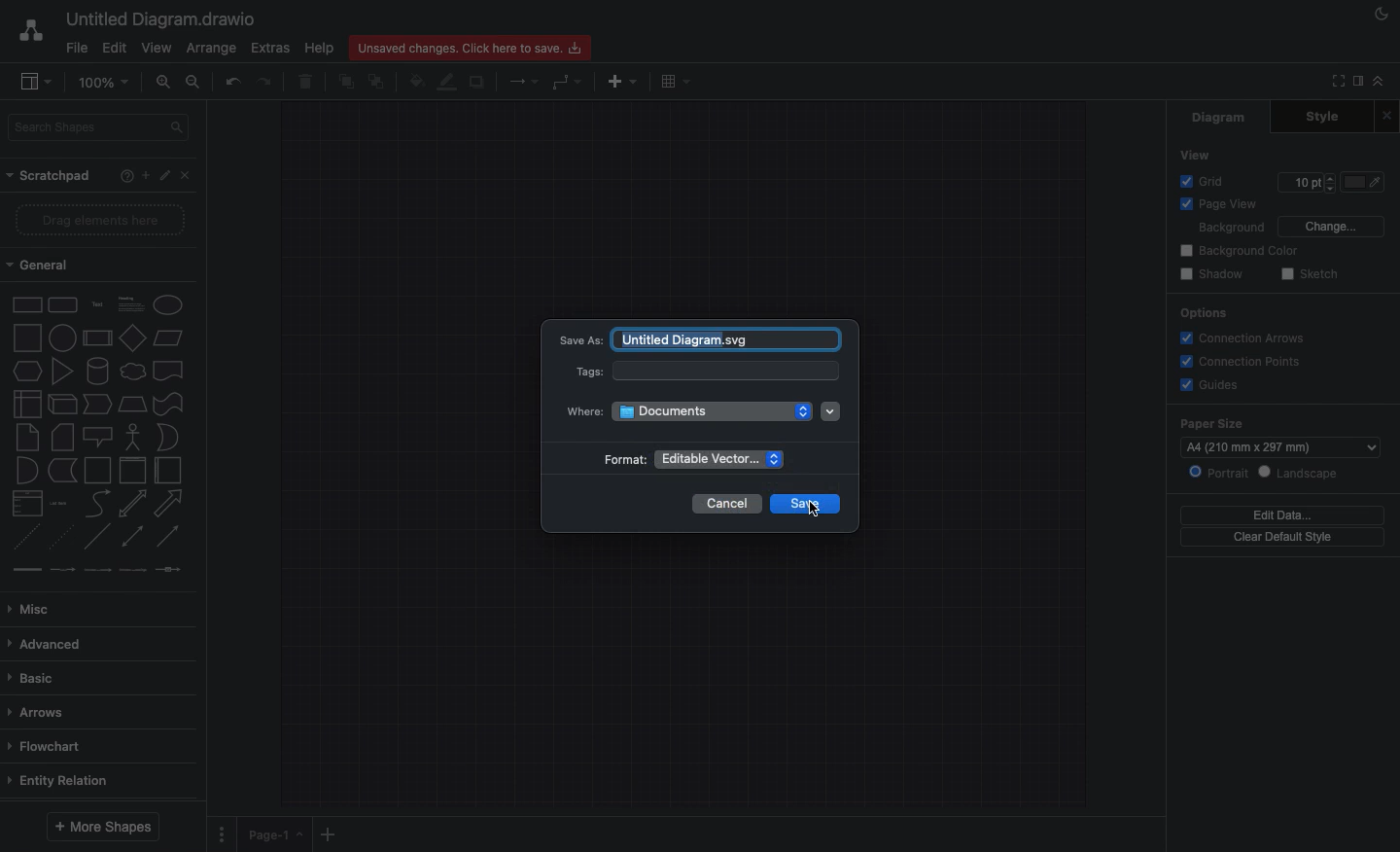 The width and height of the screenshot is (1400, 852). I want to click on Shapes, so click(99, 434).